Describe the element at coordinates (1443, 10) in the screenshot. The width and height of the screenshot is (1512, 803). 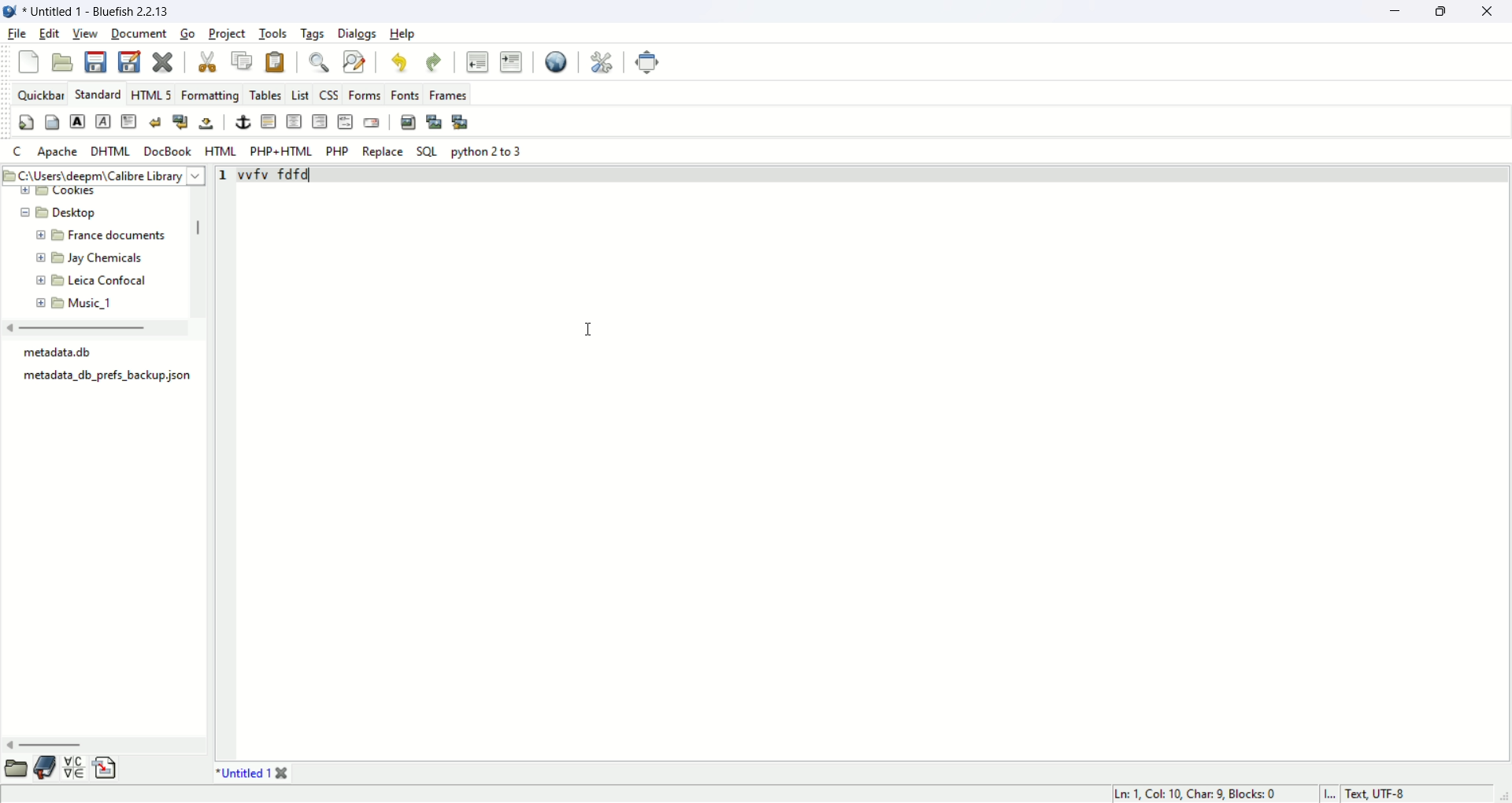
I see `maximize` at that location.